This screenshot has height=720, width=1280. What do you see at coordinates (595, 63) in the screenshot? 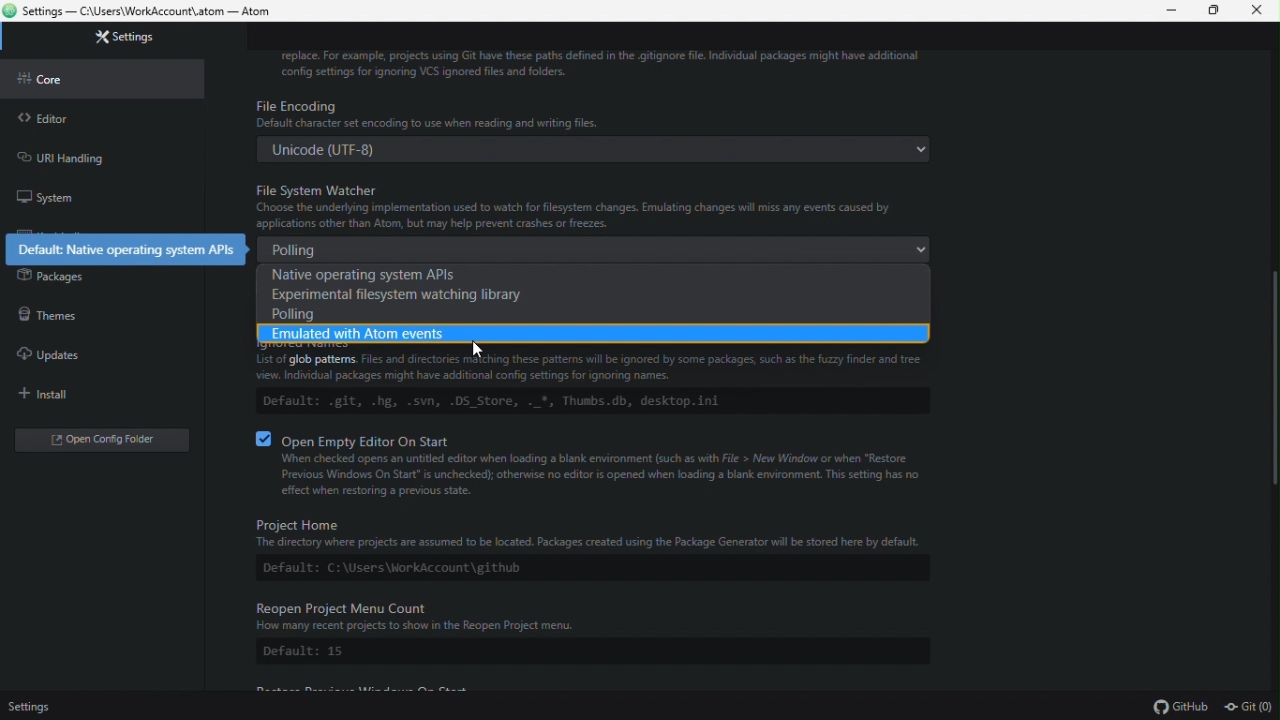
I see `replace. For example, projects using GIT have these paths defined in the .gitignore file. Individual packages might have additional cofig settings for ignoring VCS ignored files and folders` at bounding box center [595, 63].